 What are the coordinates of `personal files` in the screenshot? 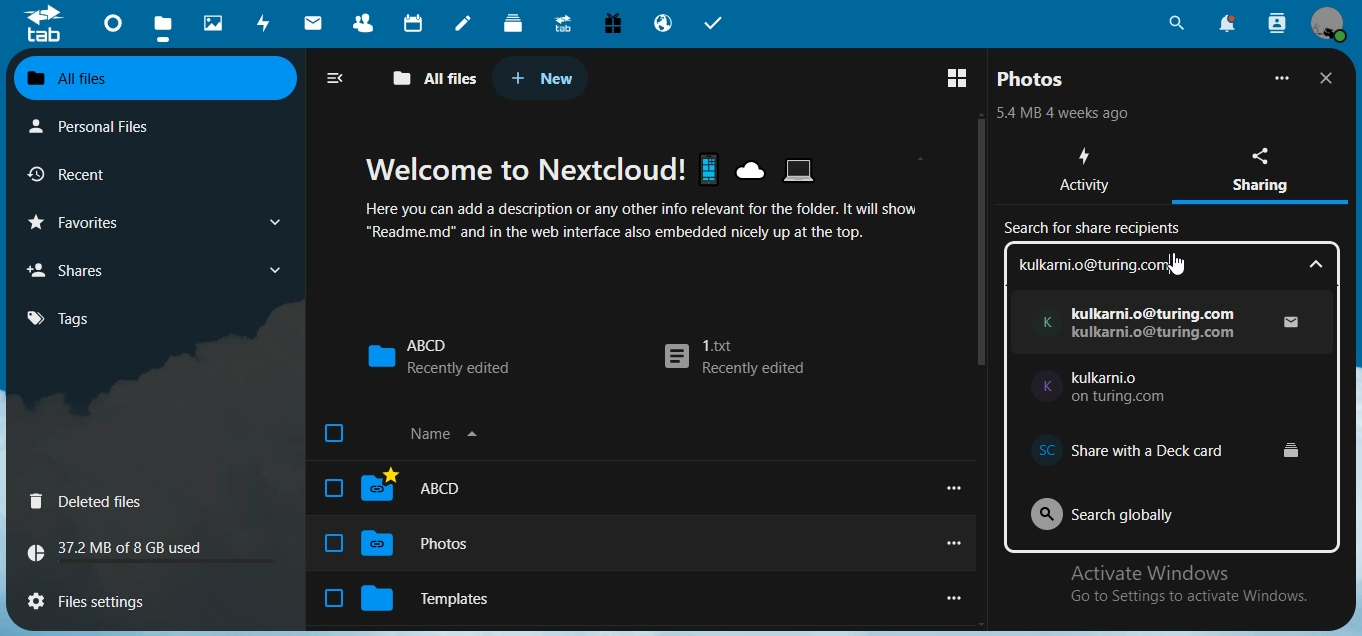 It's located at (106, 125).